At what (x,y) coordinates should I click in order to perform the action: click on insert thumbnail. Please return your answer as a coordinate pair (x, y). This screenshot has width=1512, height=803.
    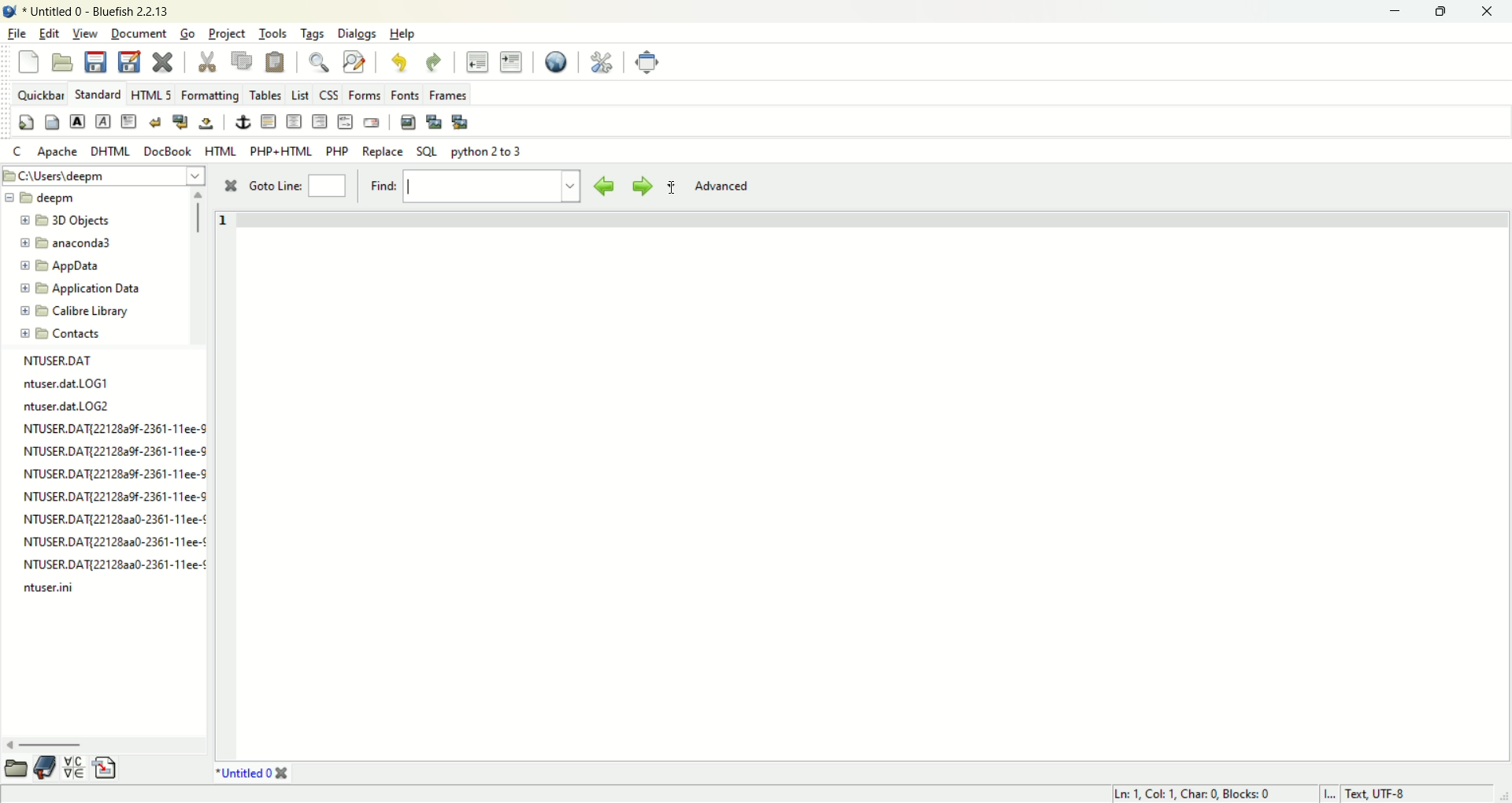
    Looking at the image, I should click on (432, 120).